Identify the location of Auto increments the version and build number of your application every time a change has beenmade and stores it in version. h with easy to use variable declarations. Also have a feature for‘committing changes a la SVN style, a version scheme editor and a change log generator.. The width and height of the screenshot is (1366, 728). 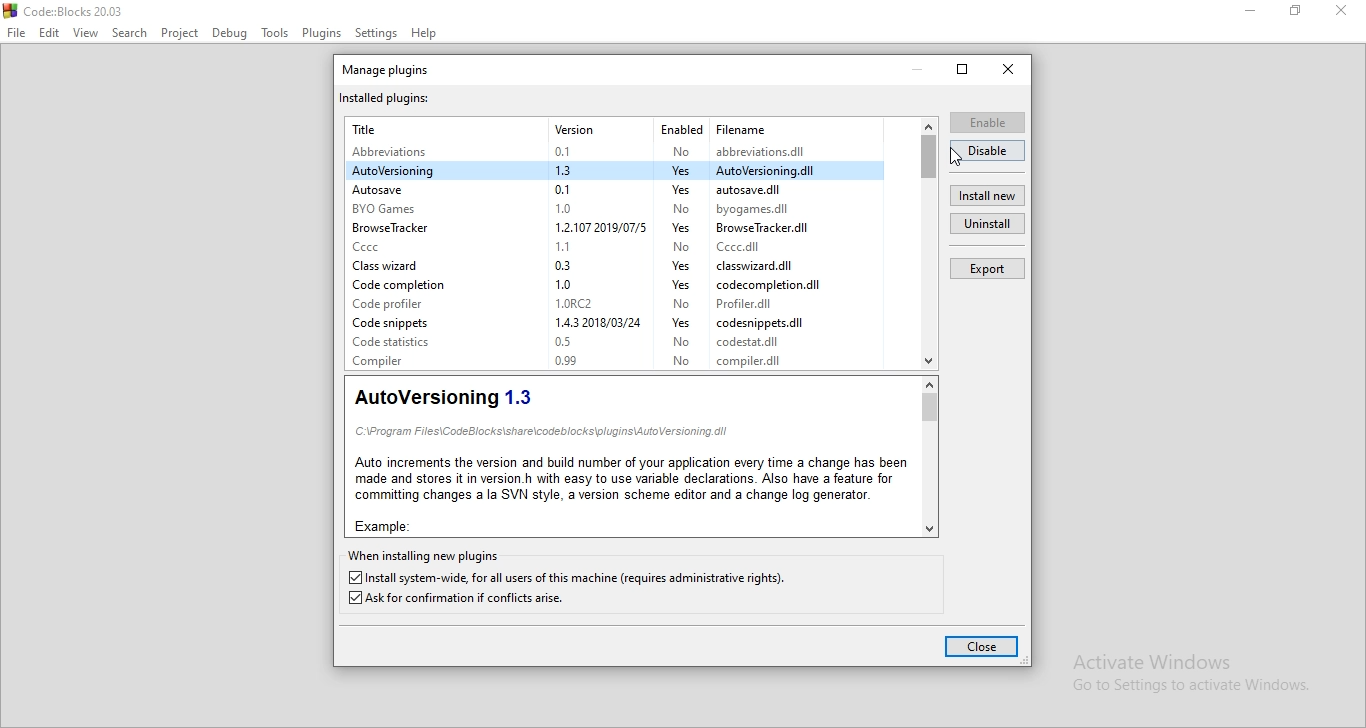
(628, 479).